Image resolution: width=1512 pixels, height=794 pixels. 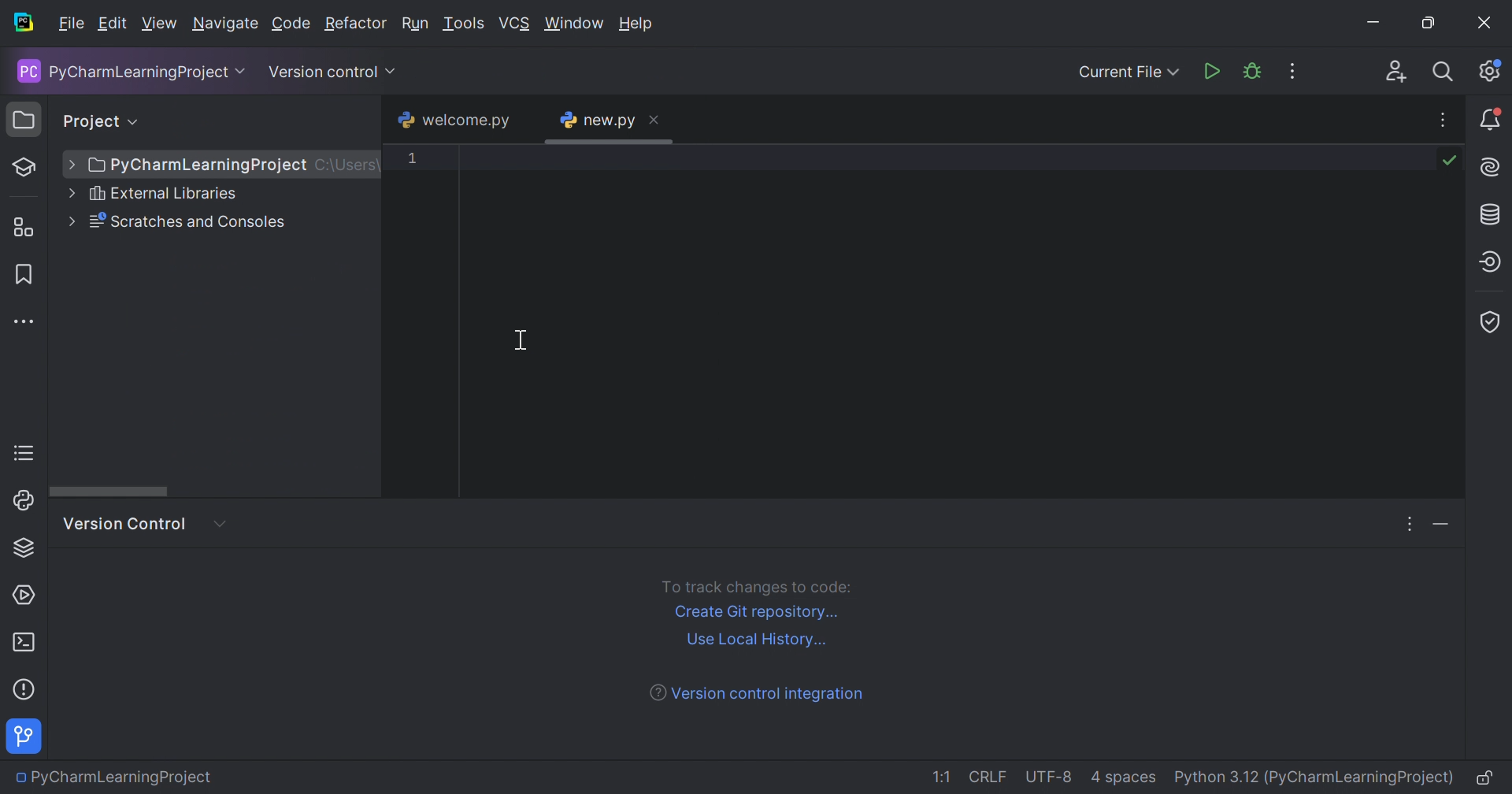 I want to click on Scroll bar, so click(x=112, y=488).